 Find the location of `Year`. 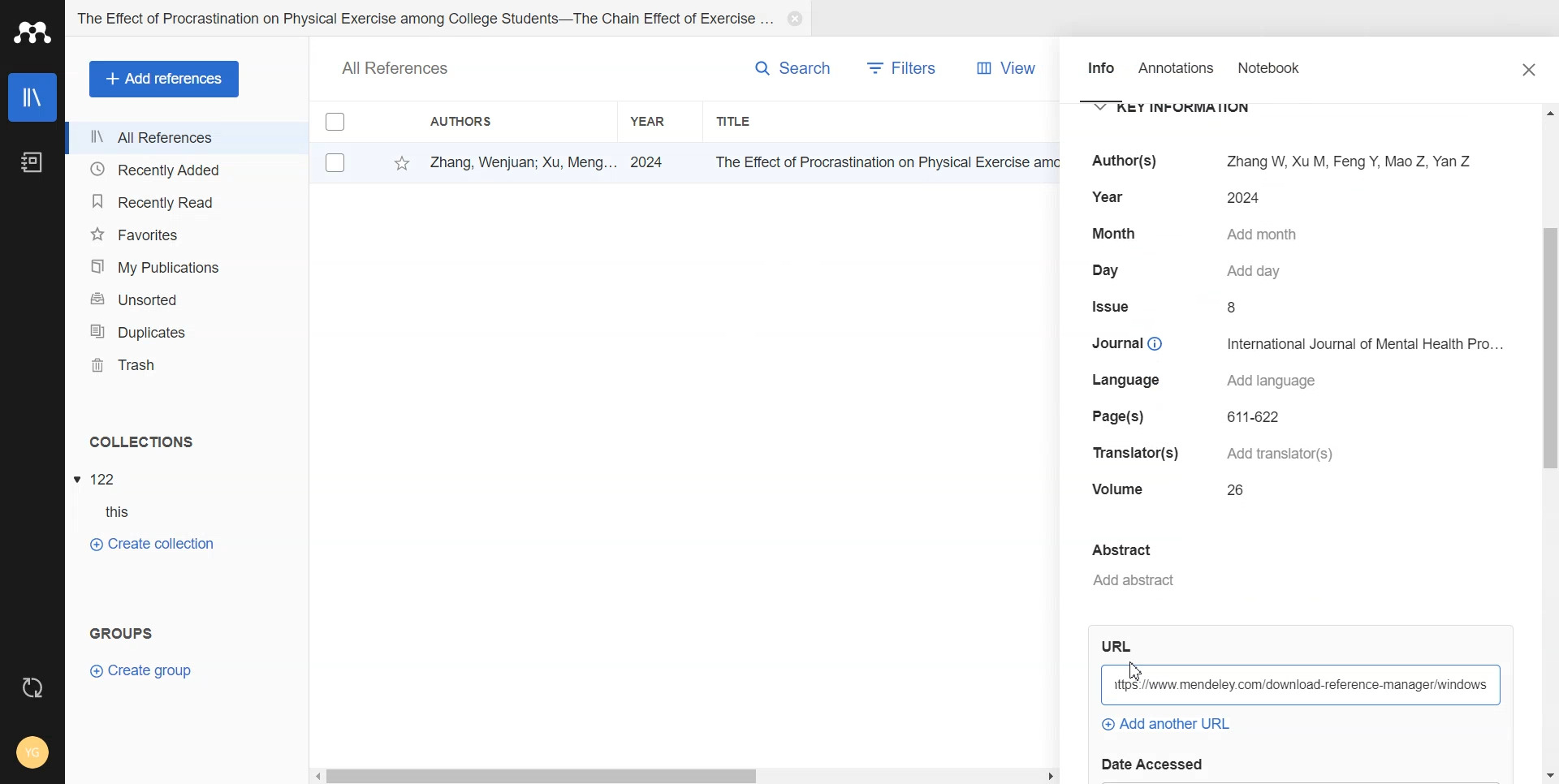

Year is located at coordinates (660, 120).